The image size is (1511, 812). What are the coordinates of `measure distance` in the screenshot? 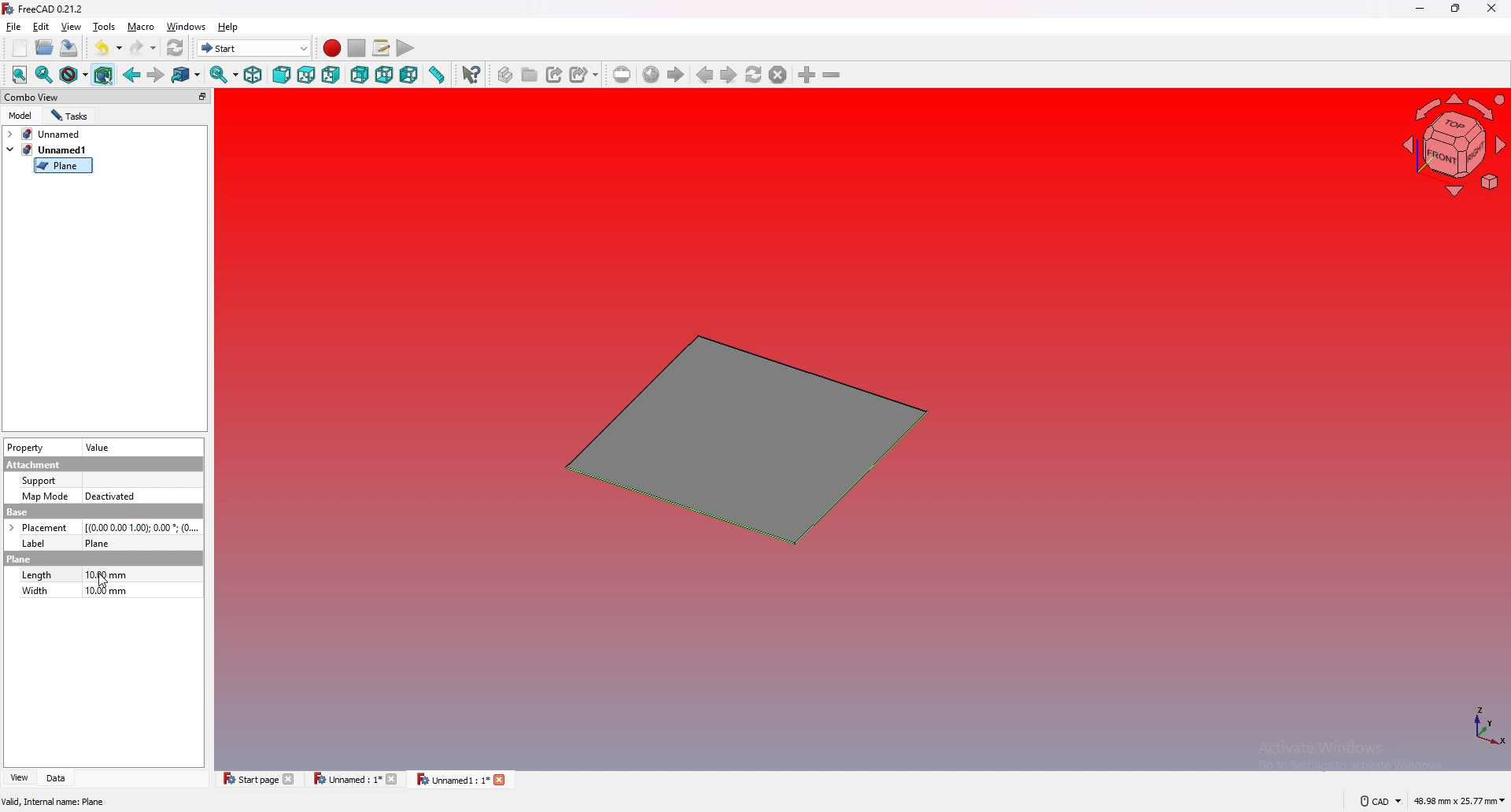 It's located at (436, 74).